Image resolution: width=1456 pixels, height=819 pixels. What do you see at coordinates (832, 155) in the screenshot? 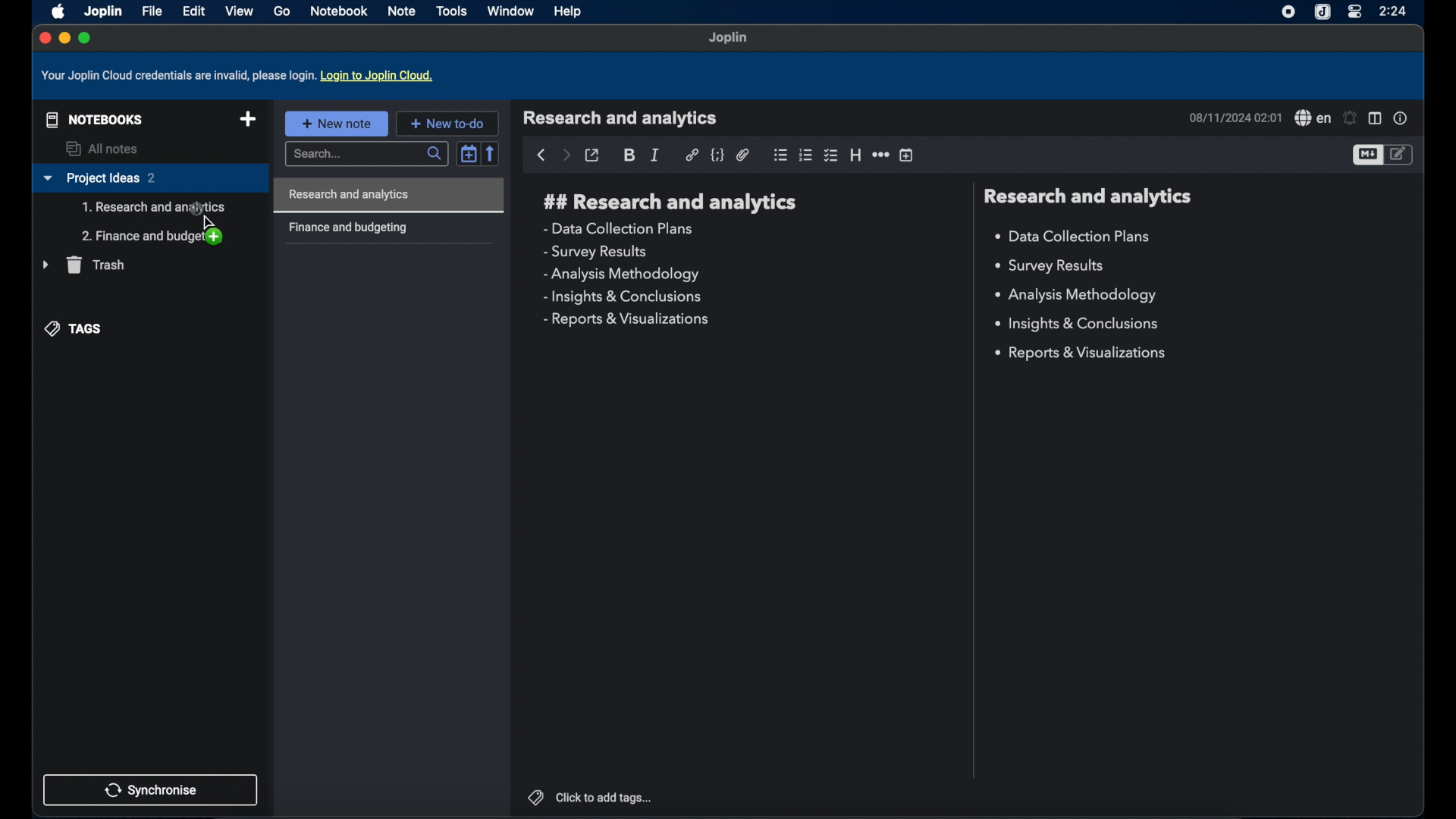
I see `checkbox` at bounding box center [832, 155].